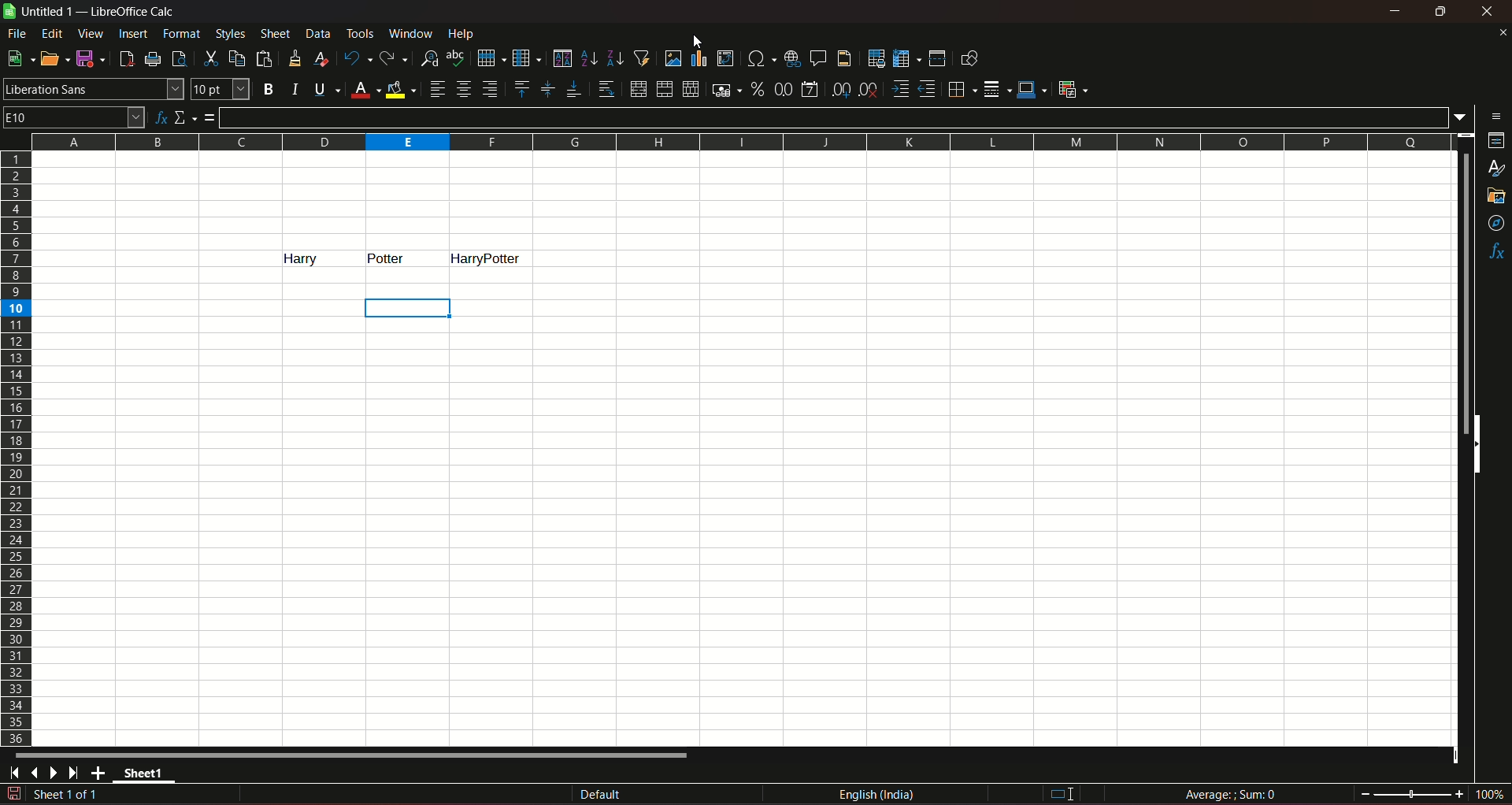 The width and height of the screenshot is (1512, 805). Describe the element at coordinates (412, 307) in the screenshot. I see `selection` at that location.